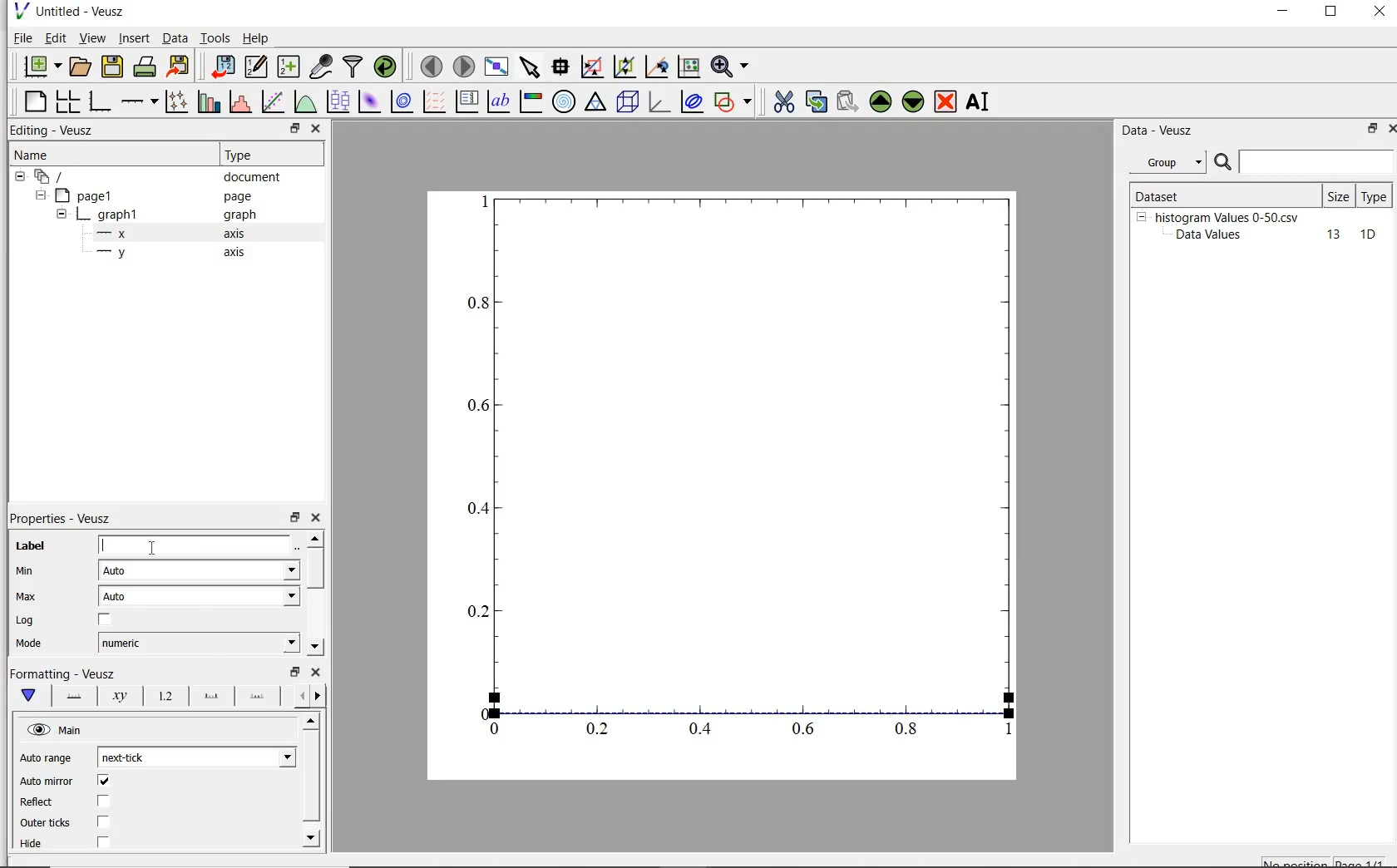 The width and height of the screenshot is (1397, 868). What do you see at coordinates (1389, 131) in the screenshot?
I see `close` at bounding box center [1389, 131].